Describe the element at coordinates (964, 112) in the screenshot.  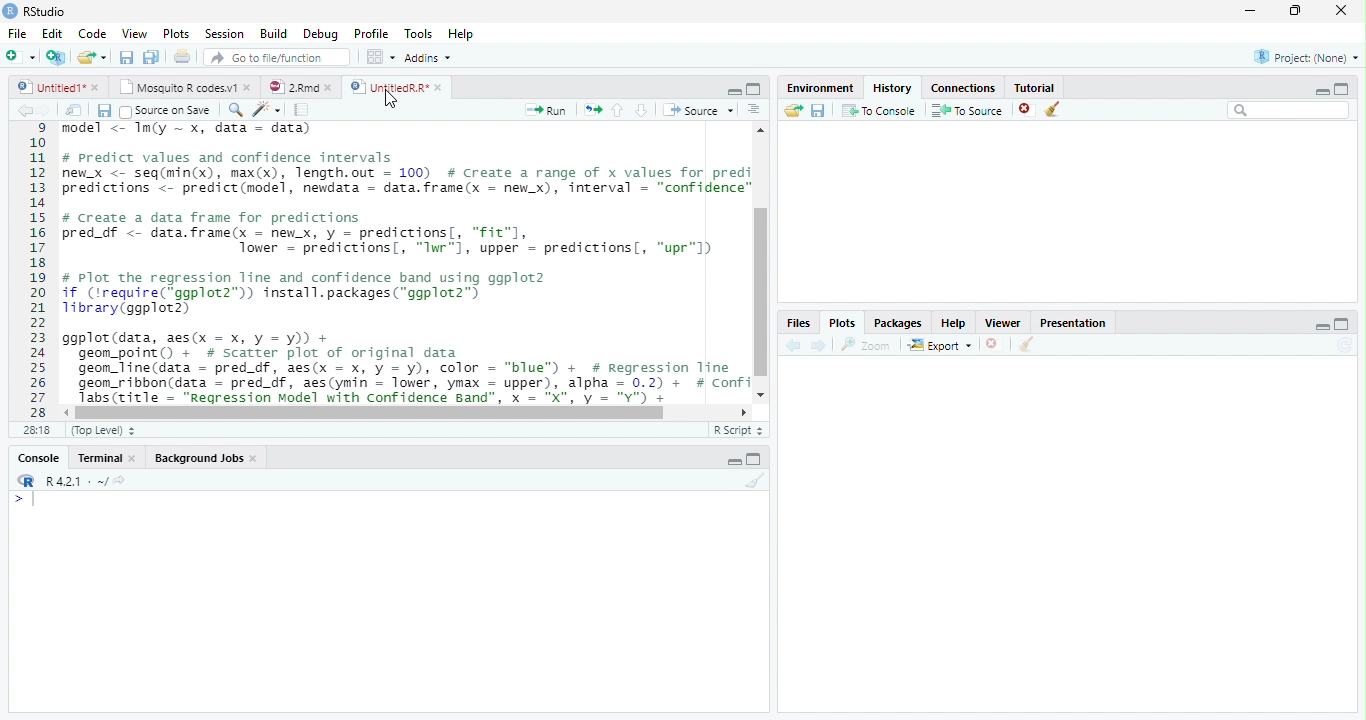
I see `To Source` at that location.